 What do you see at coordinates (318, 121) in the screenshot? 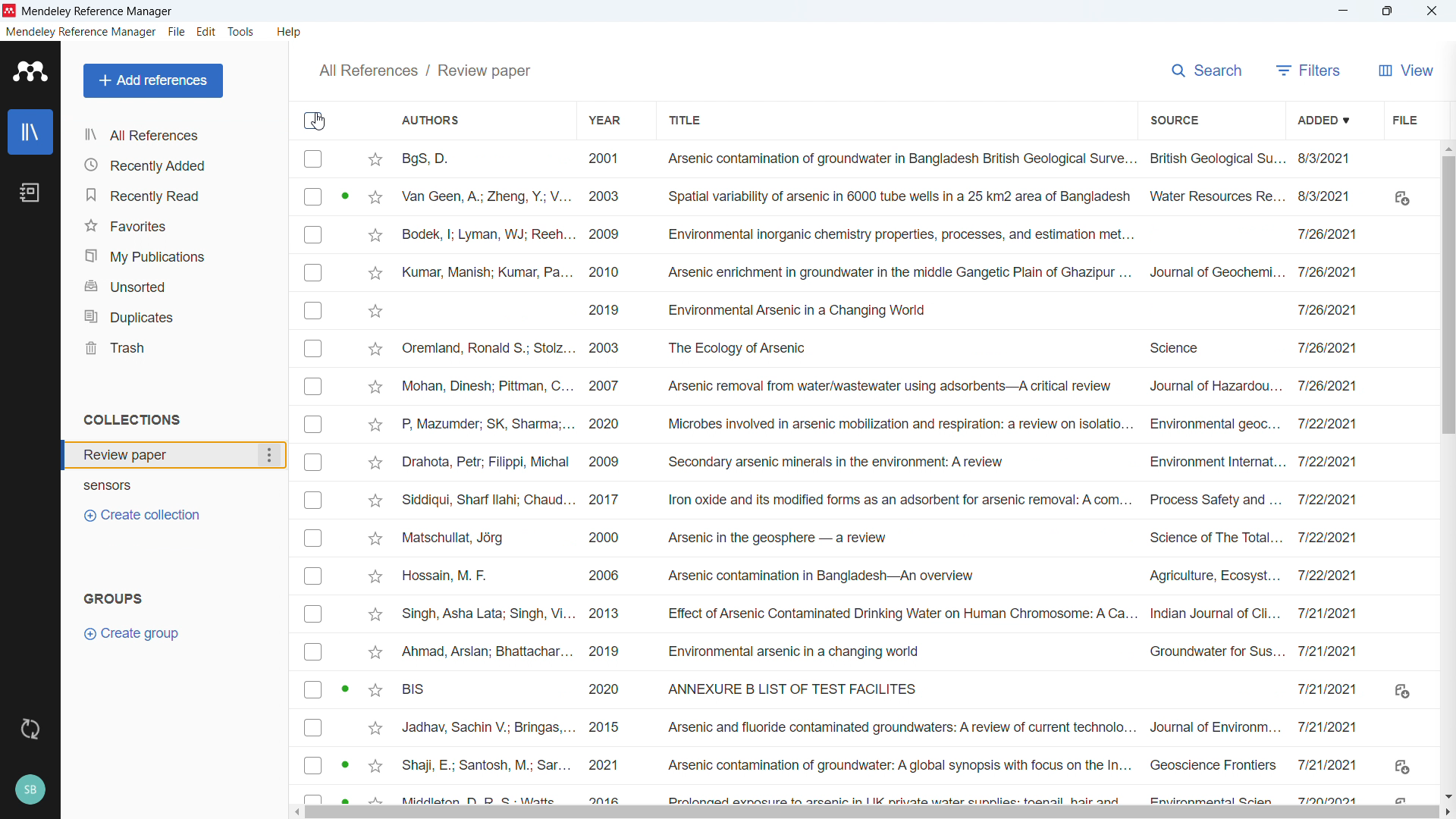
I see `Cursor` at bounding box center [318, 121].